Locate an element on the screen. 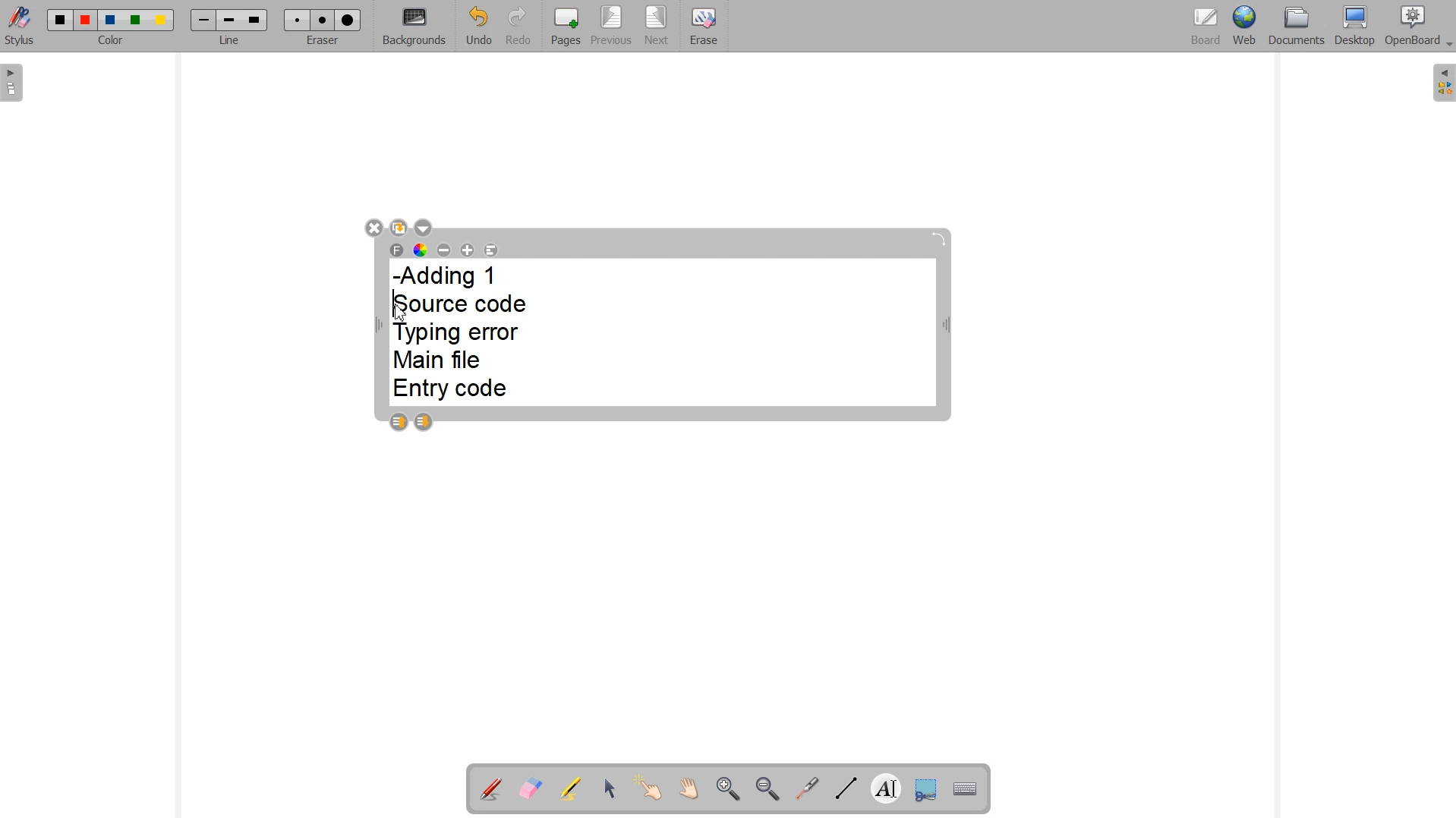  Interact with items is located at coordinates (650, 790).